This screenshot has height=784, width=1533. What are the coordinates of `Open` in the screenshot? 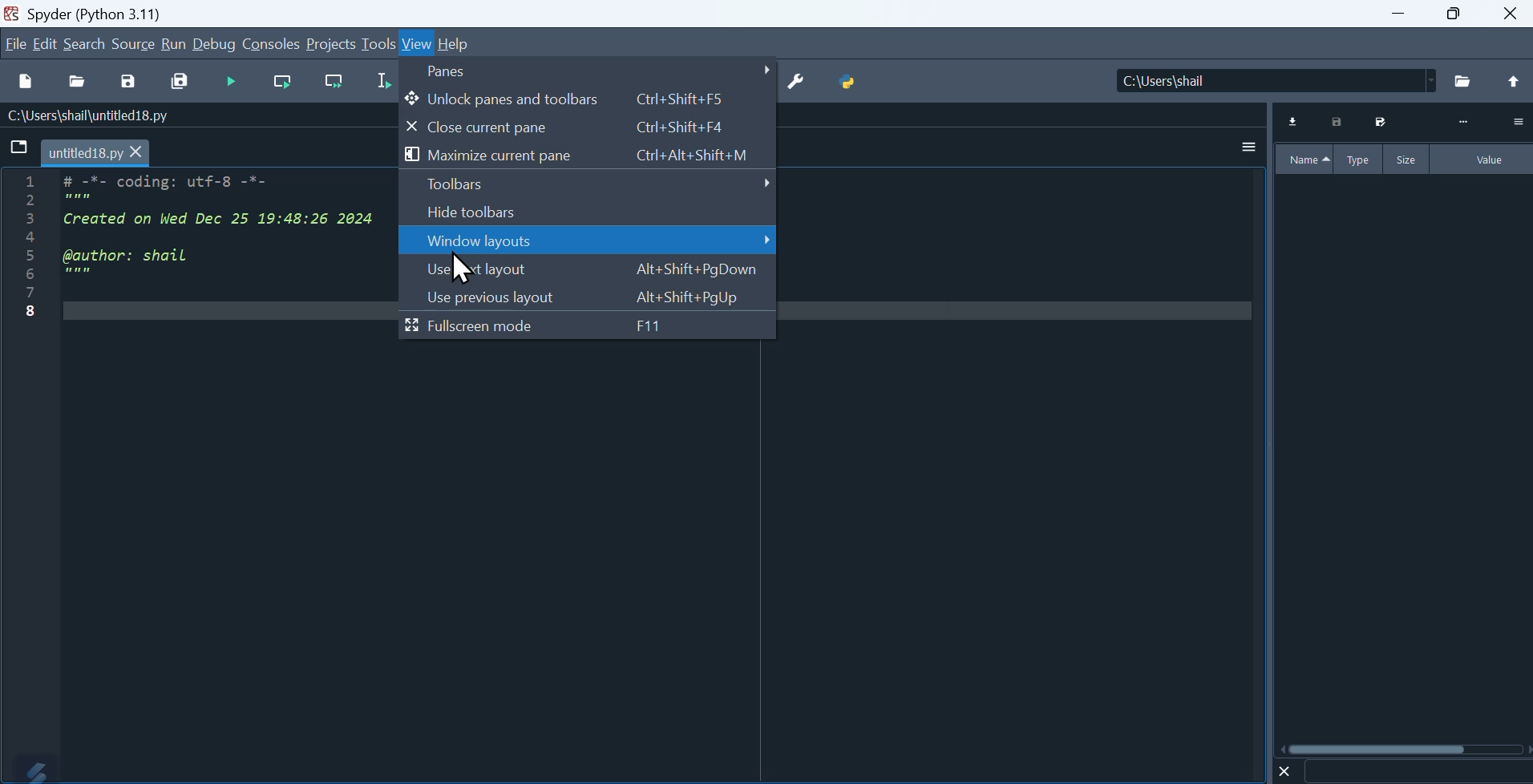 It's located at (79, 83).